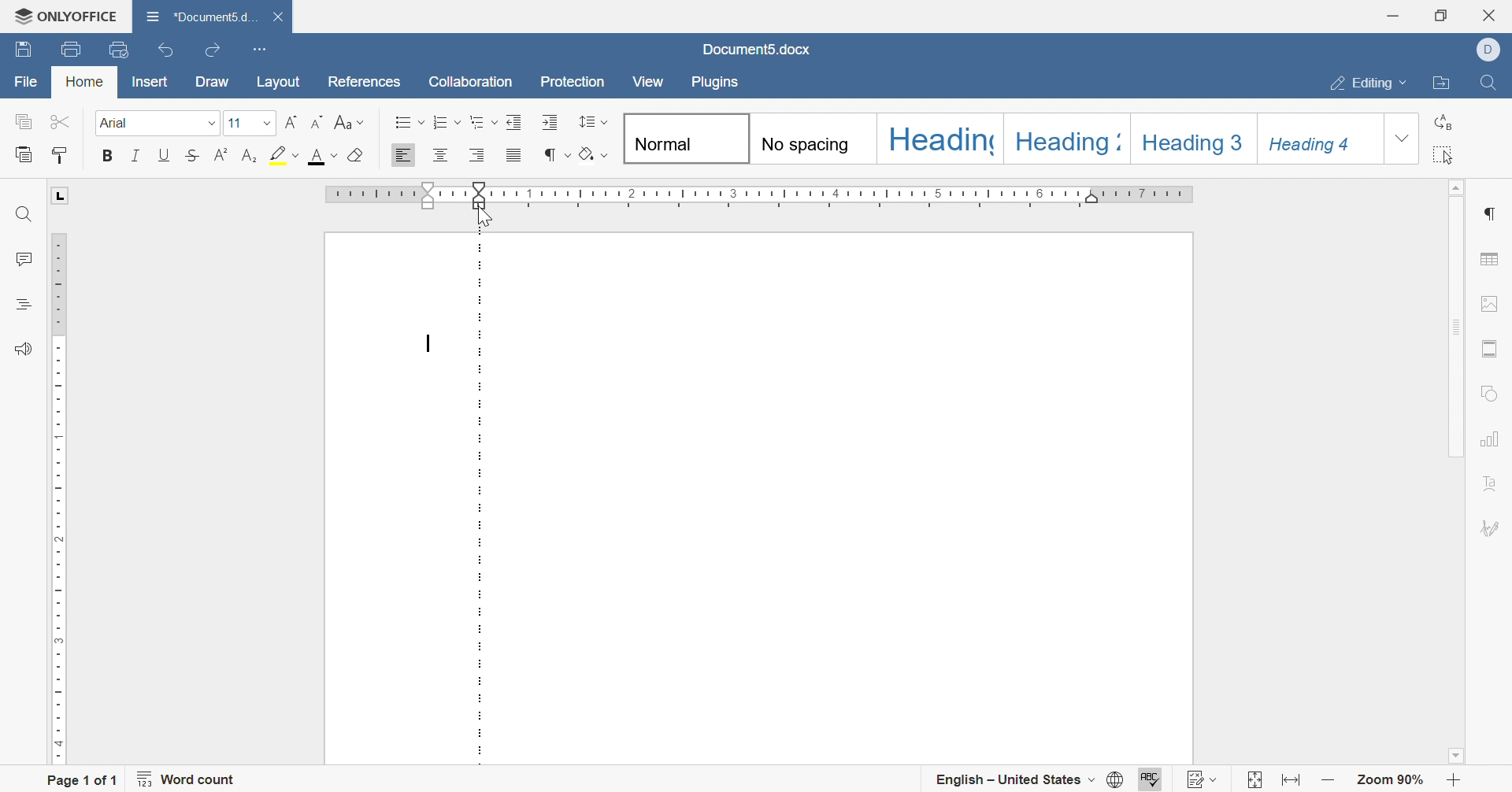 Image resolution: width=1512 pixels, height=792 pixels. I want to click on references, so click(365, 81).